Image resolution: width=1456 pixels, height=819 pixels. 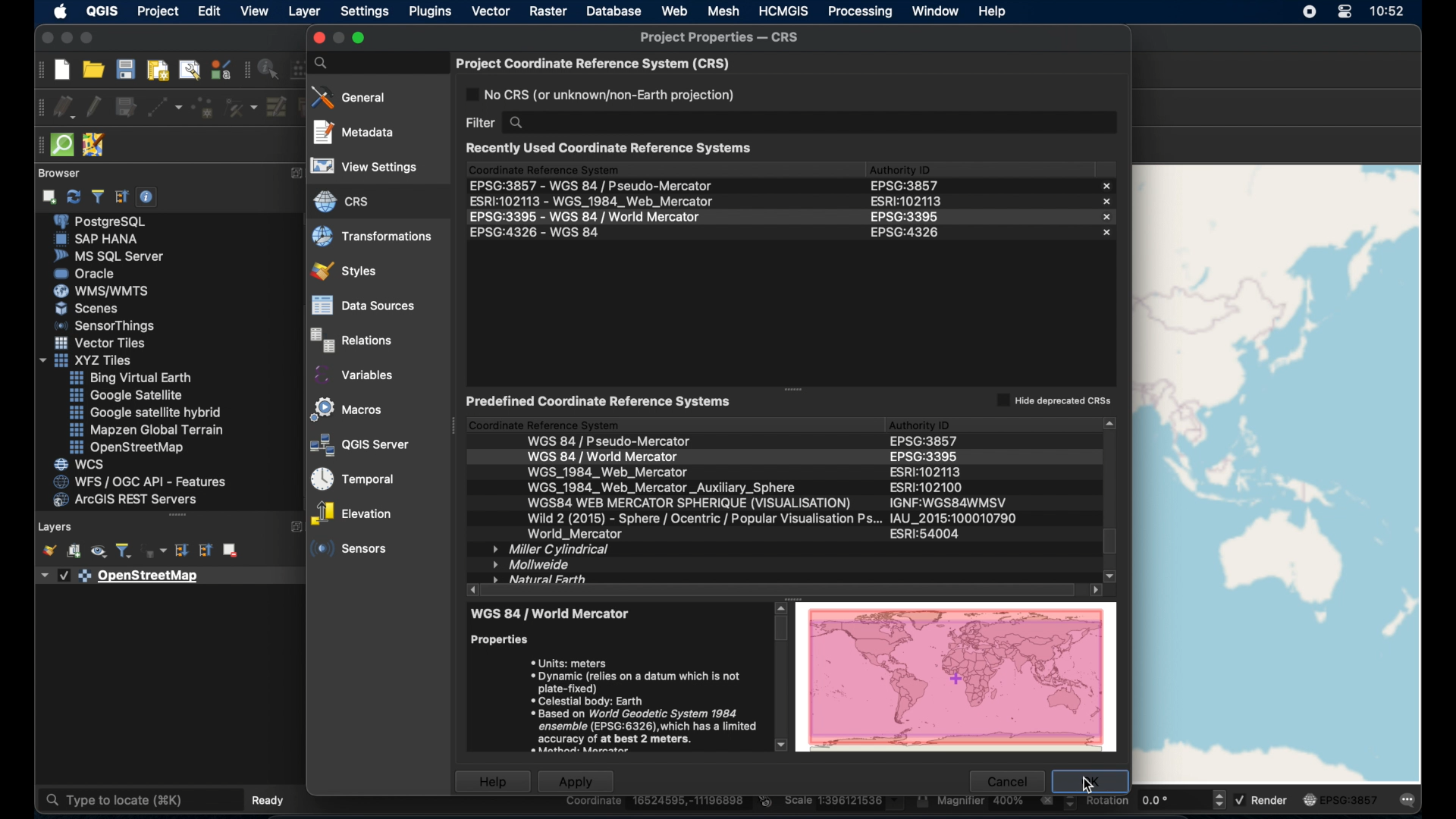 I want to click on collapse all, so click(x=121, y=196).